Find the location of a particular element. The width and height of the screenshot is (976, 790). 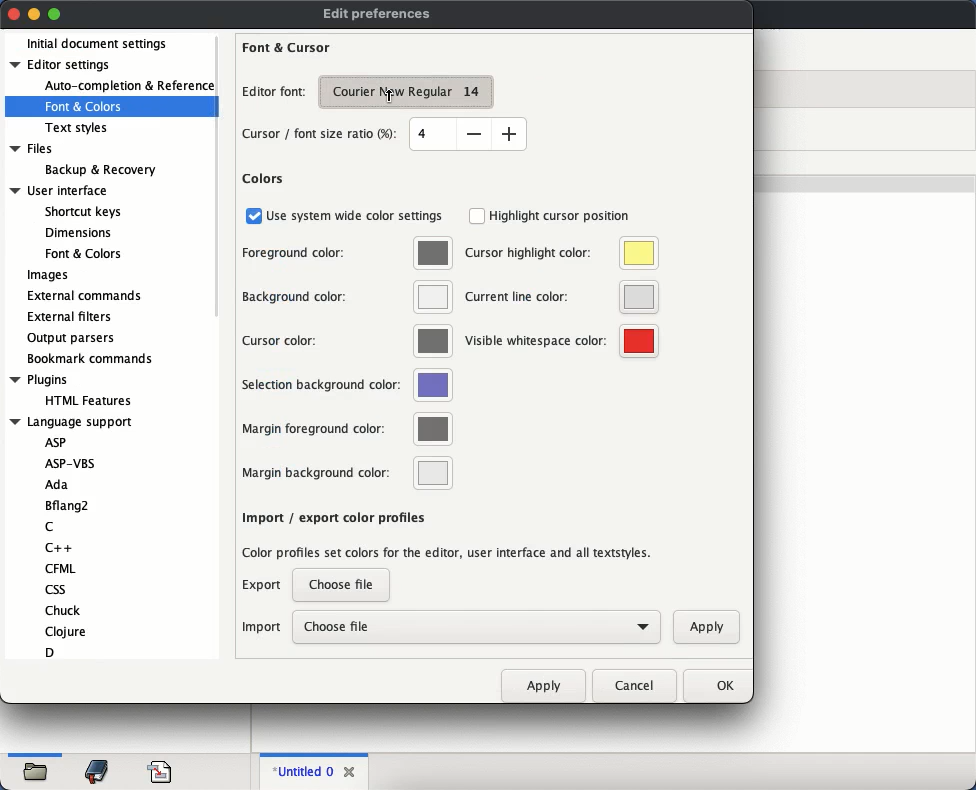

editor font is located at coordinates (273, 92).